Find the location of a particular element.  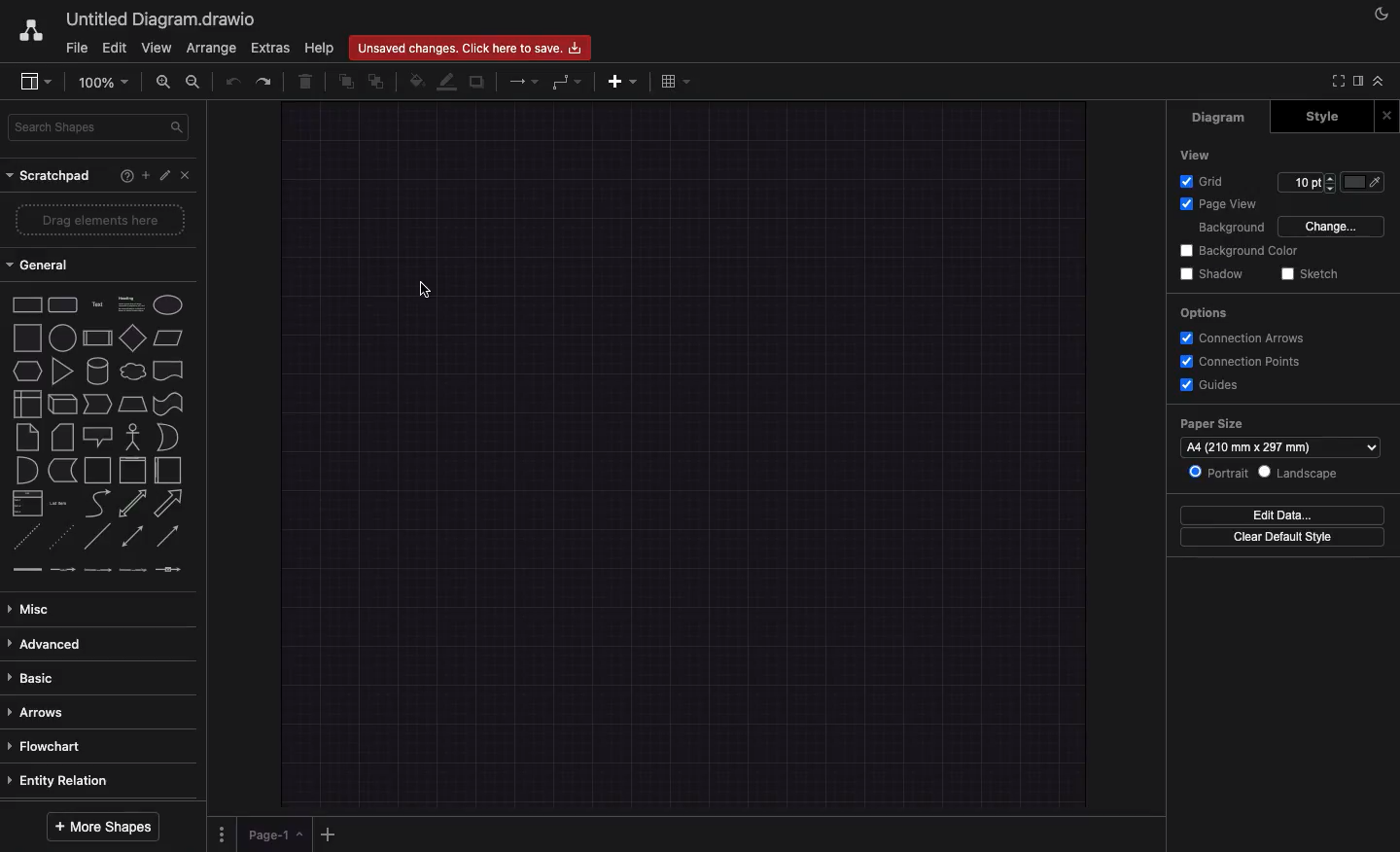

Portrait is located at coordinates (1216, 473).